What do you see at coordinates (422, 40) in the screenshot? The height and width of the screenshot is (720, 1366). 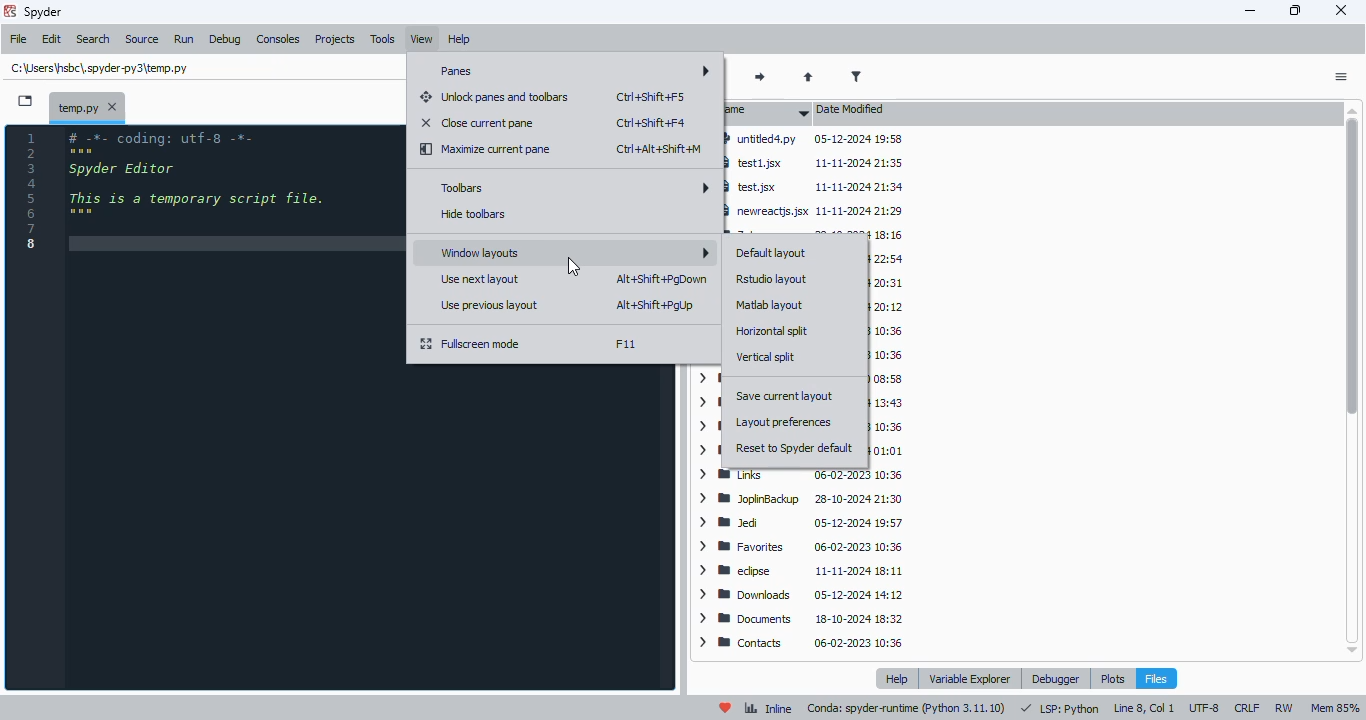 I see `view` at bounding box center [422, 40].